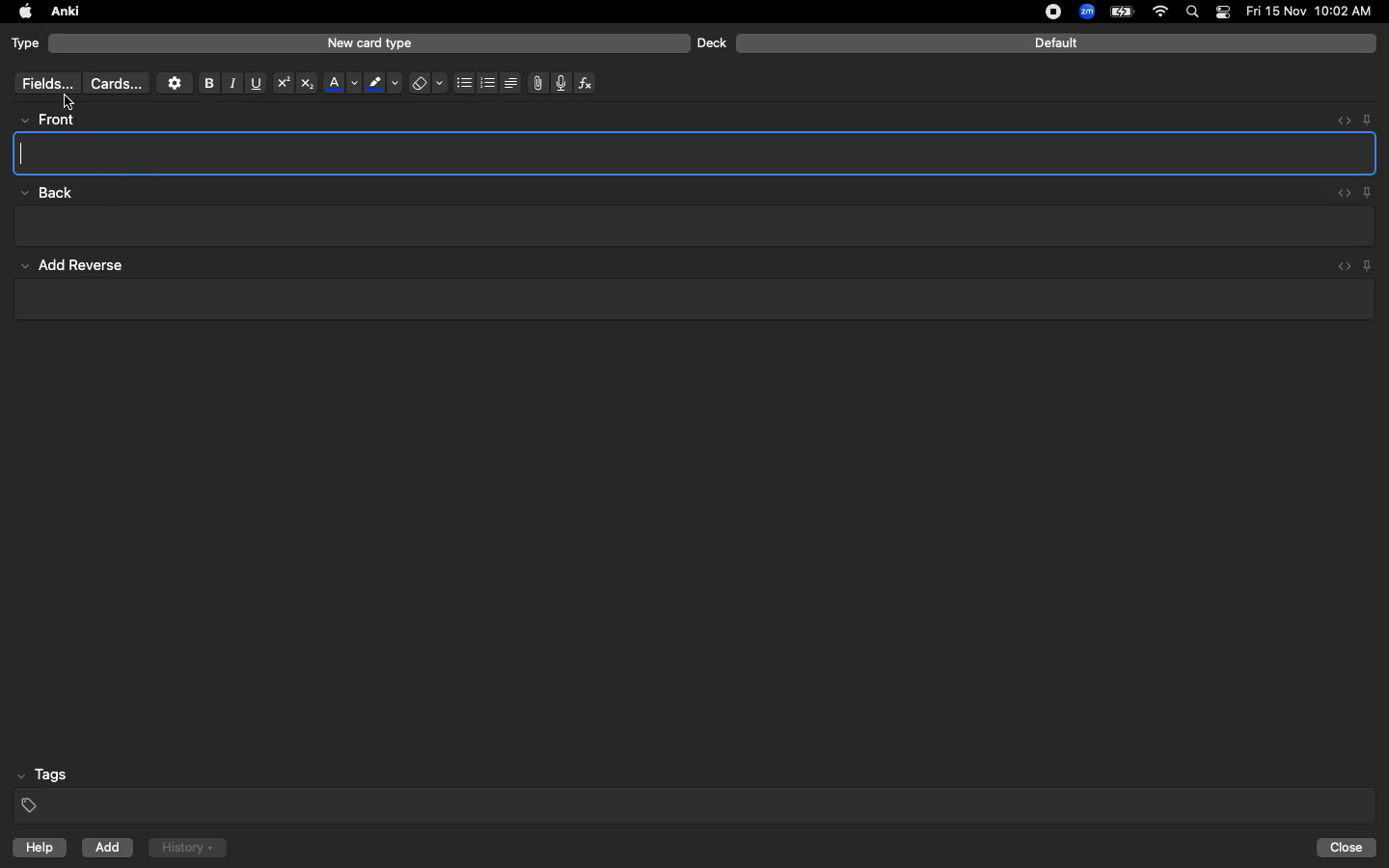 The height and width of the screenshot is (868, 1389). I want to click on Function, so click(586, 83).